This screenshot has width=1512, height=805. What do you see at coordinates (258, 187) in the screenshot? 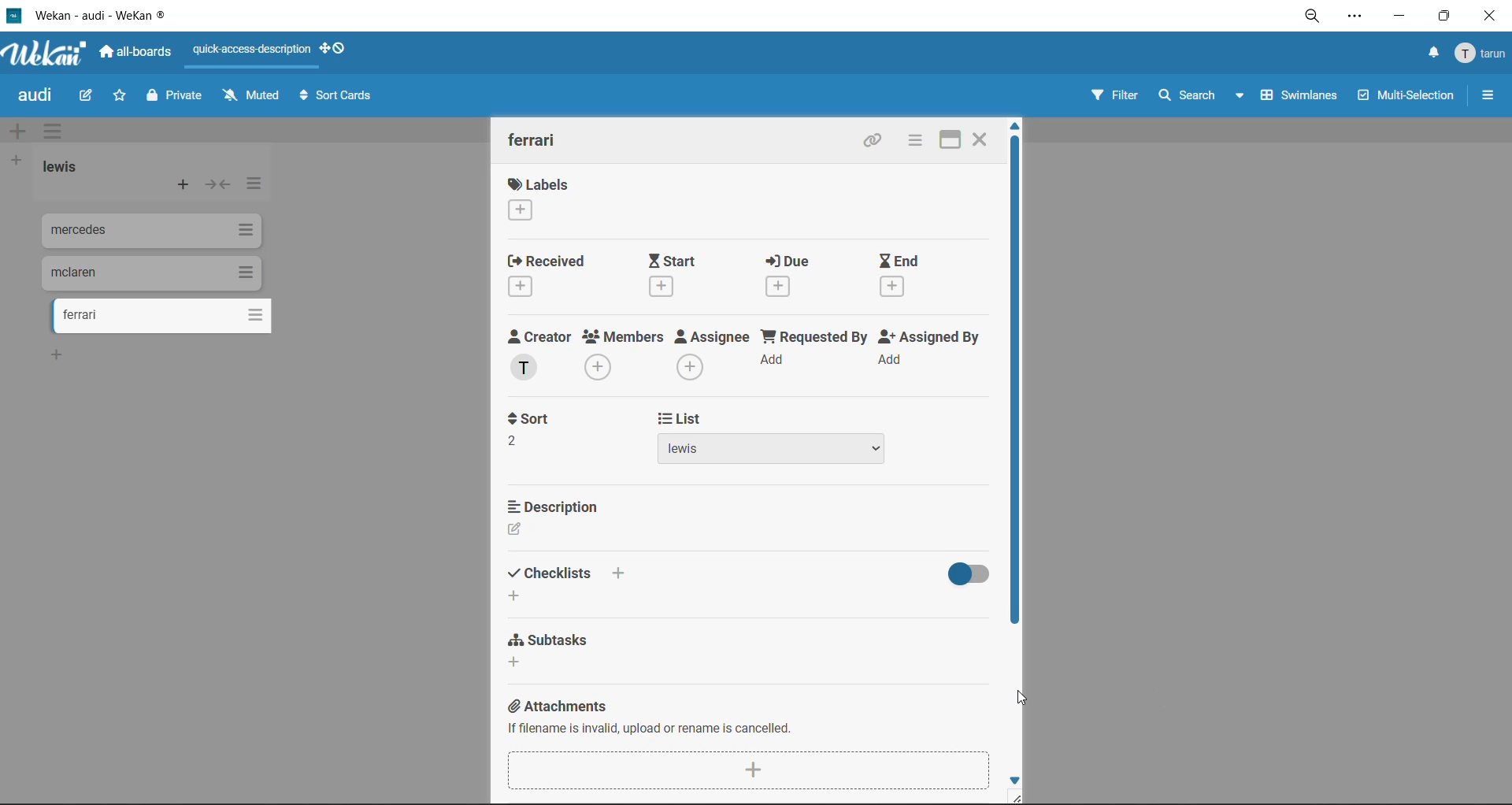
I see `list actions` at bounding box center [258, 187].